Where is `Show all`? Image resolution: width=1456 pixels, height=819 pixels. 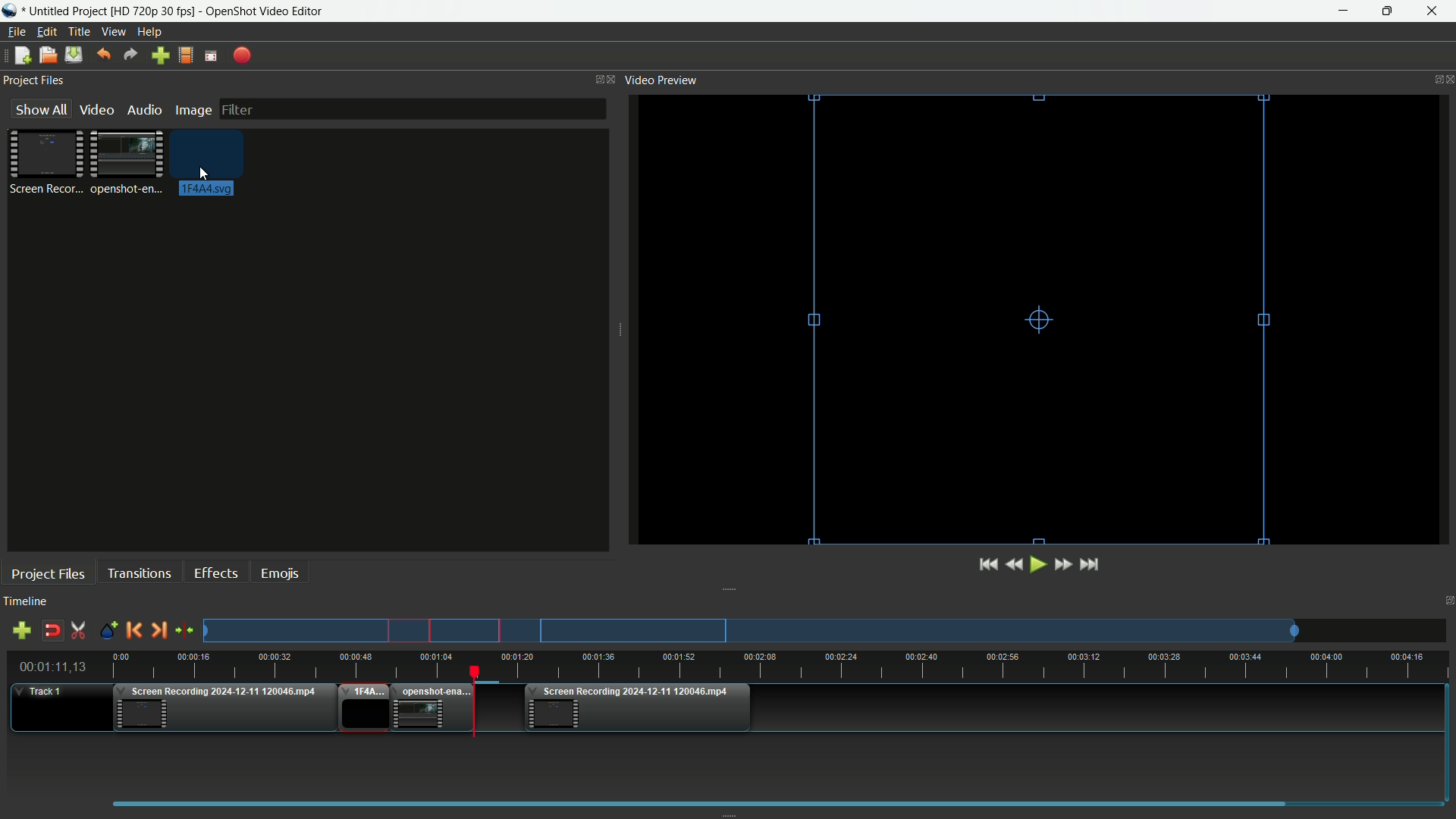
Show all is located at coordinates (36, 109).